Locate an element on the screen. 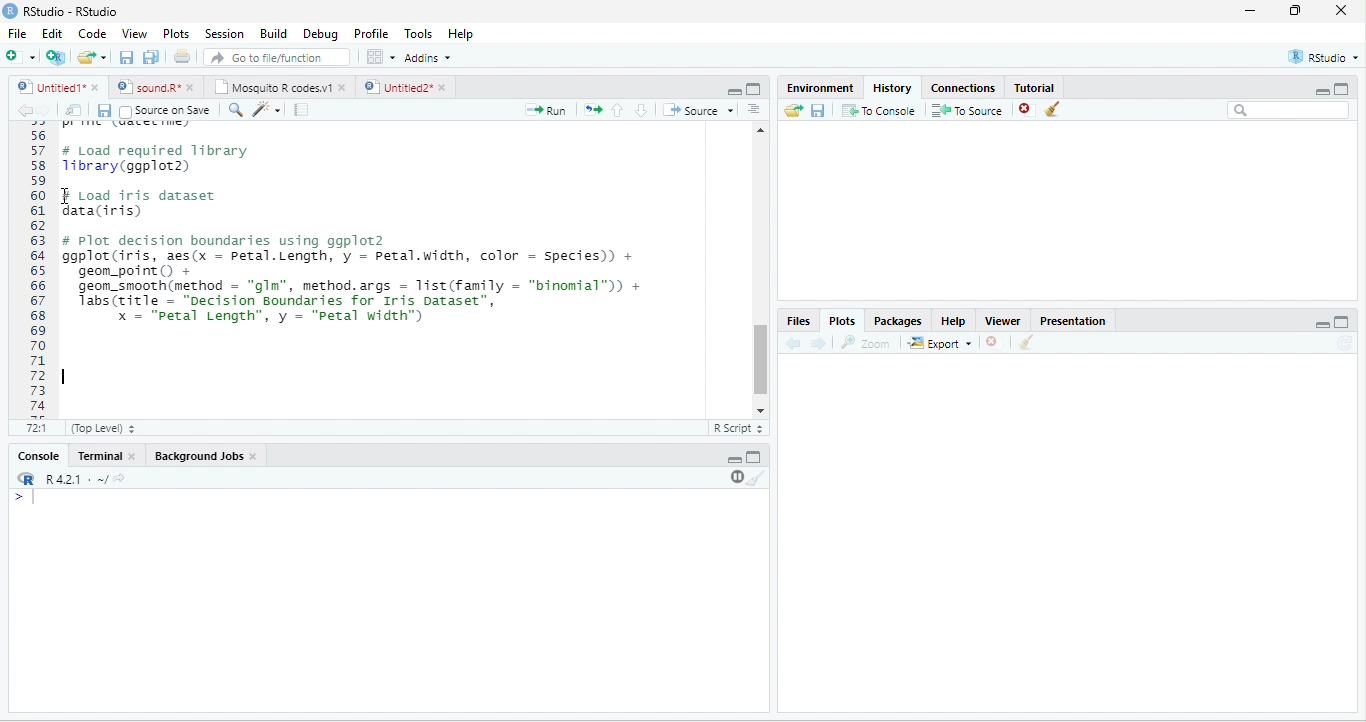 The height and width of the screenshot is (722, 1366). close is located at coordinates (97, 87).